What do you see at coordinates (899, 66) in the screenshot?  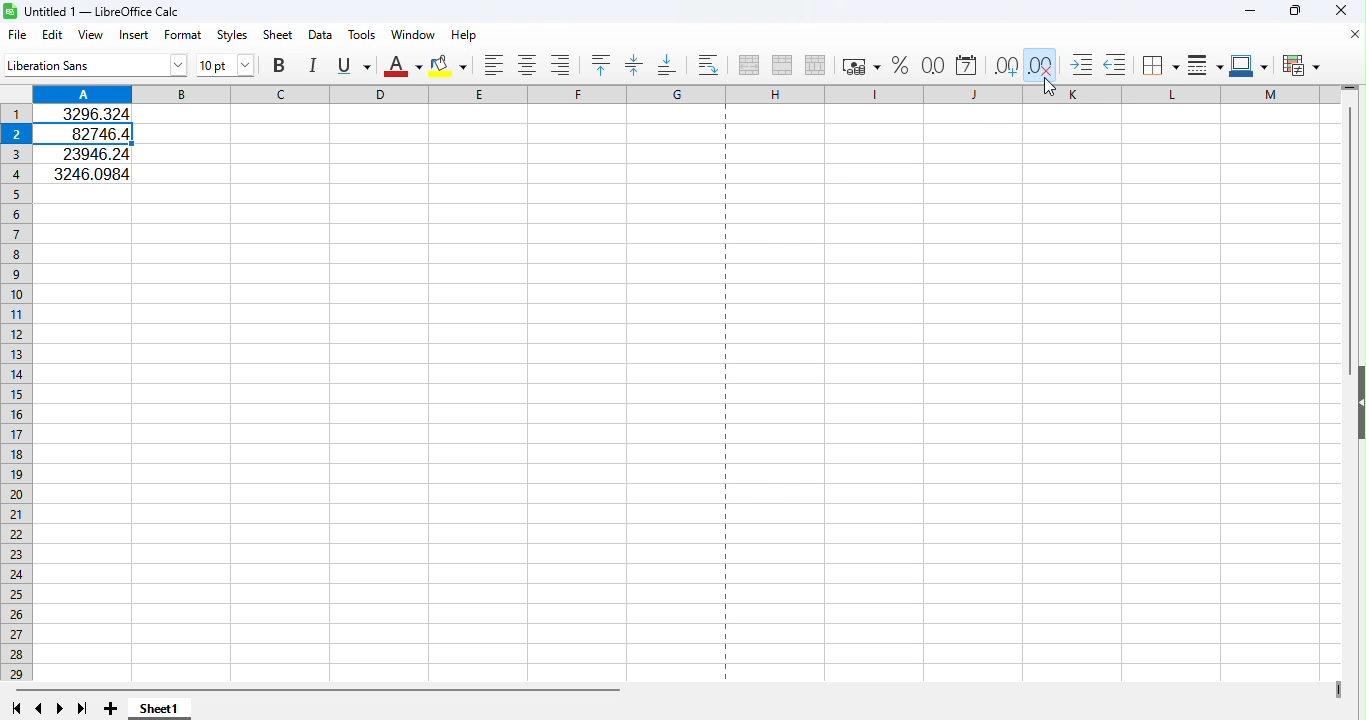 I see `Format as percent` at bounding box center [899, 66].